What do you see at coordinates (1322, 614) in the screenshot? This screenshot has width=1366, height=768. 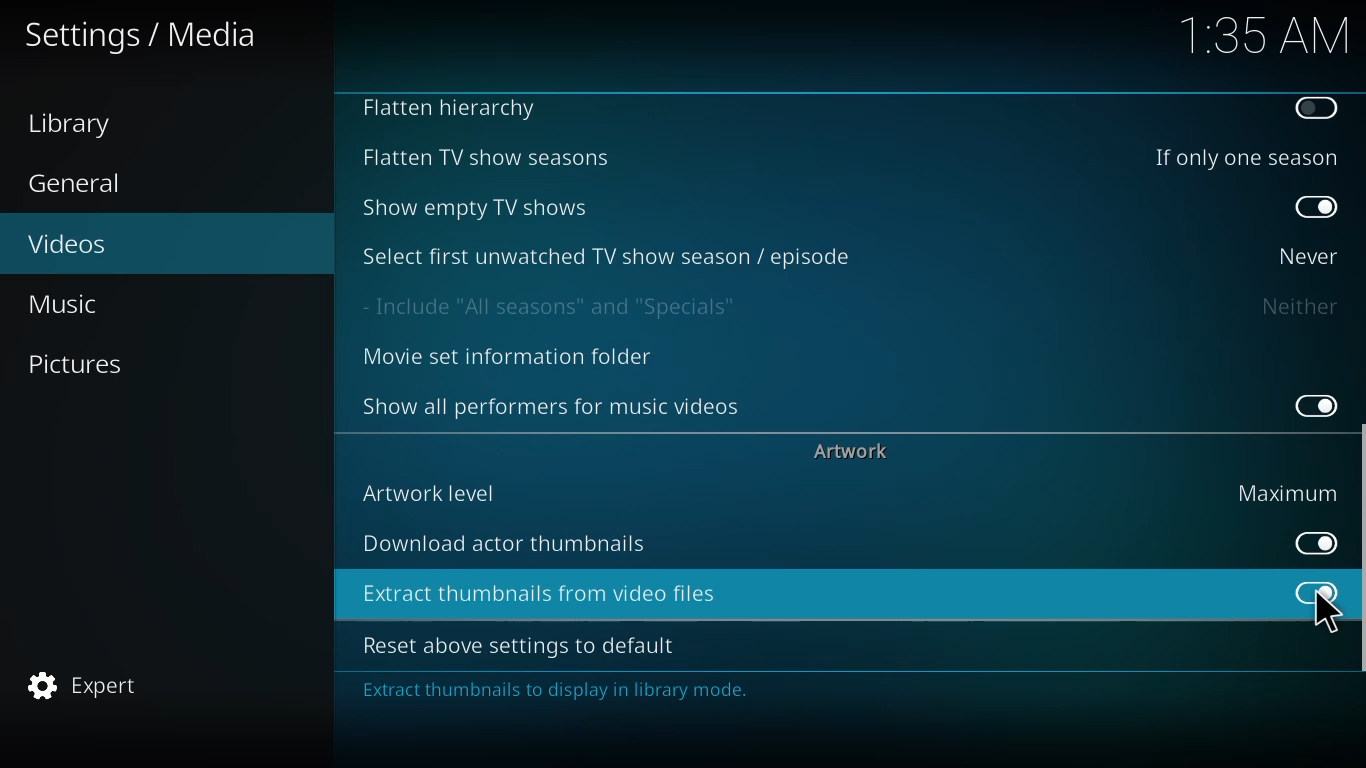 I see `cursor` at bounding box center [1322, 614].